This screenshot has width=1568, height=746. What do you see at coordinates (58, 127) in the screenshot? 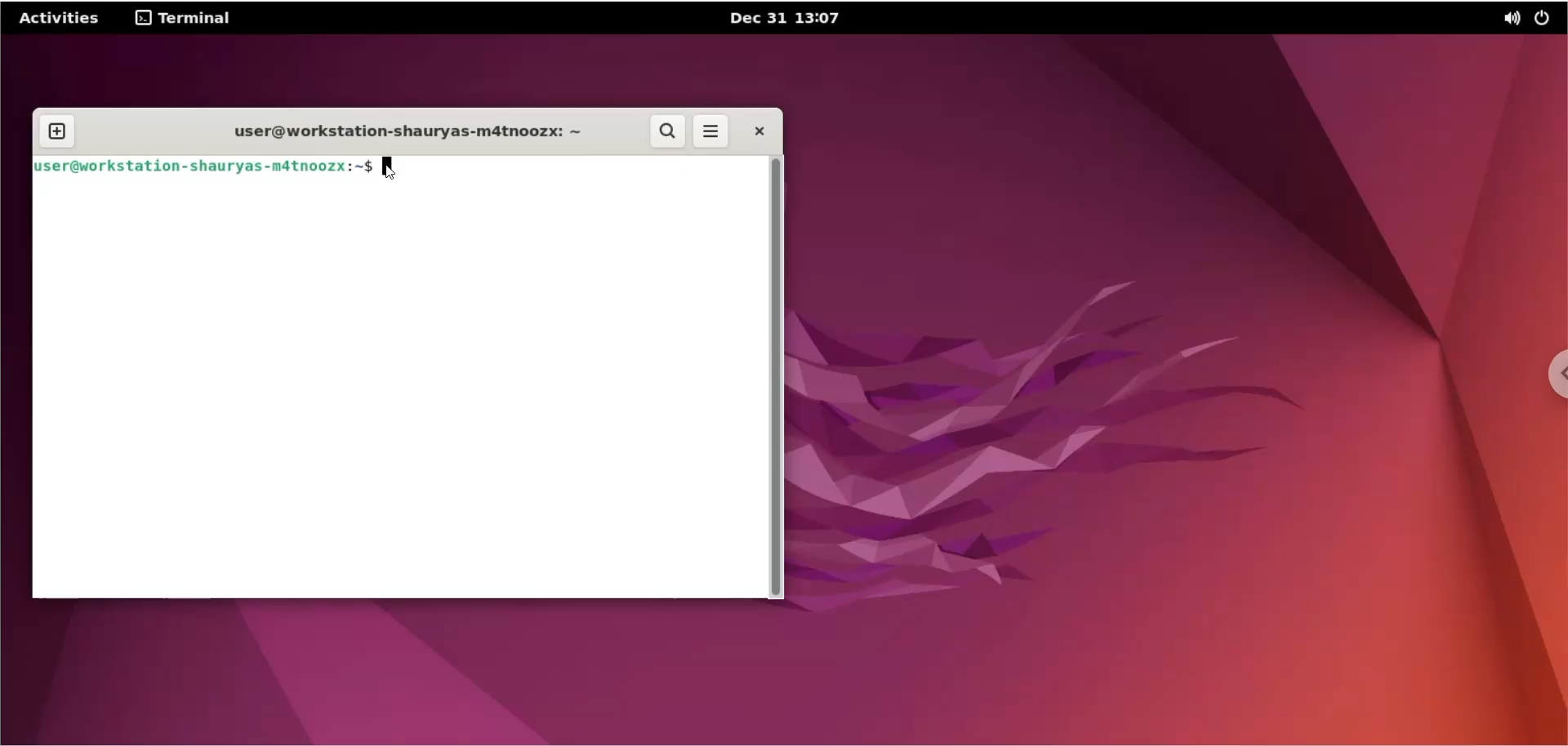
I see `new tab` at bounding box center [58, 127].